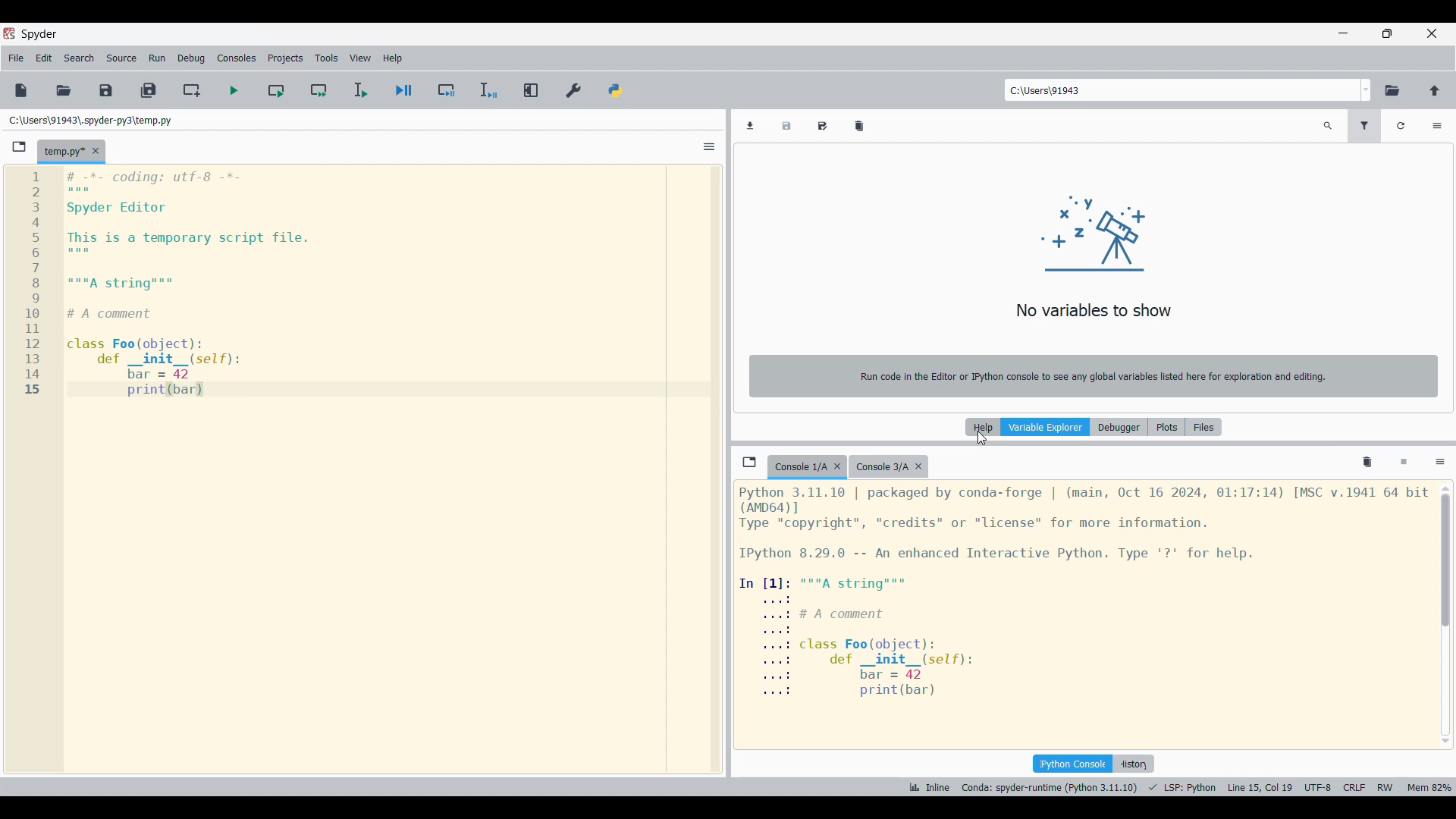 The width and height of the screenshot is (1456, 819). What do you see at coordinates (616, 90) in the screenshot?
I see `PYTHONPATH manager` at bounding box center [616, 90].